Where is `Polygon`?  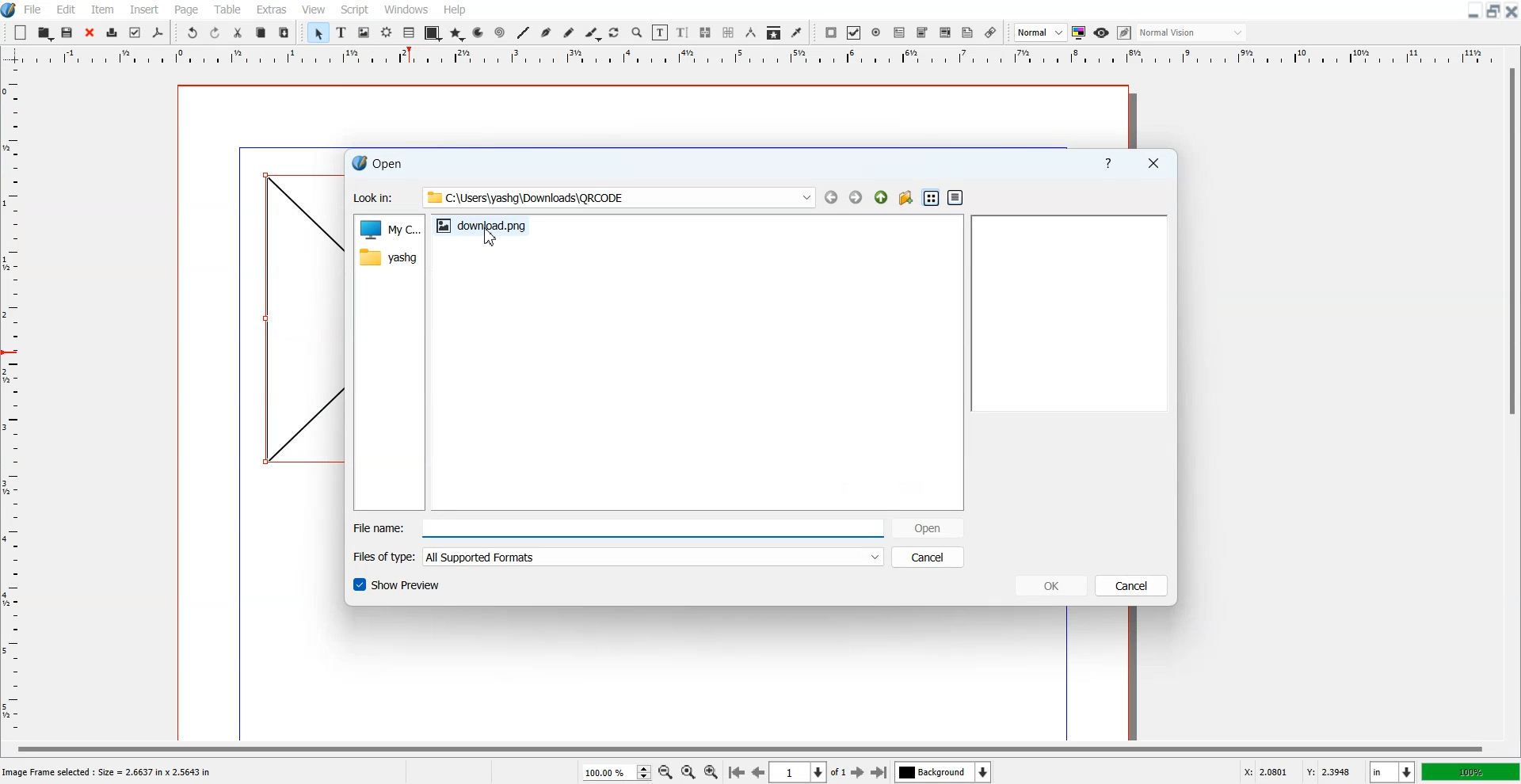 Polygon is located at coordinates (457, 35).